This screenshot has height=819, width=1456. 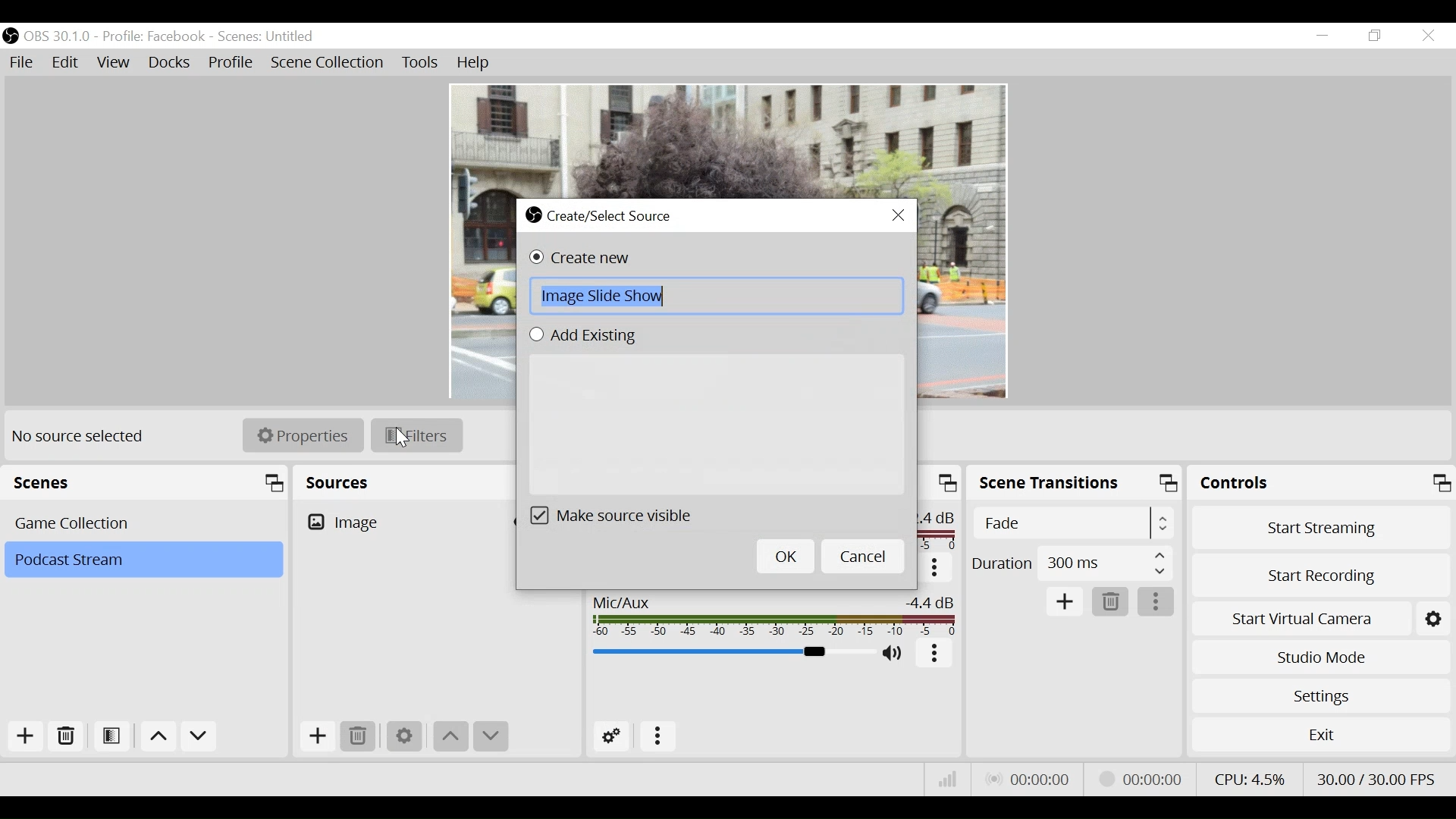 I want to click on Filters, so click(x=416, y=435).